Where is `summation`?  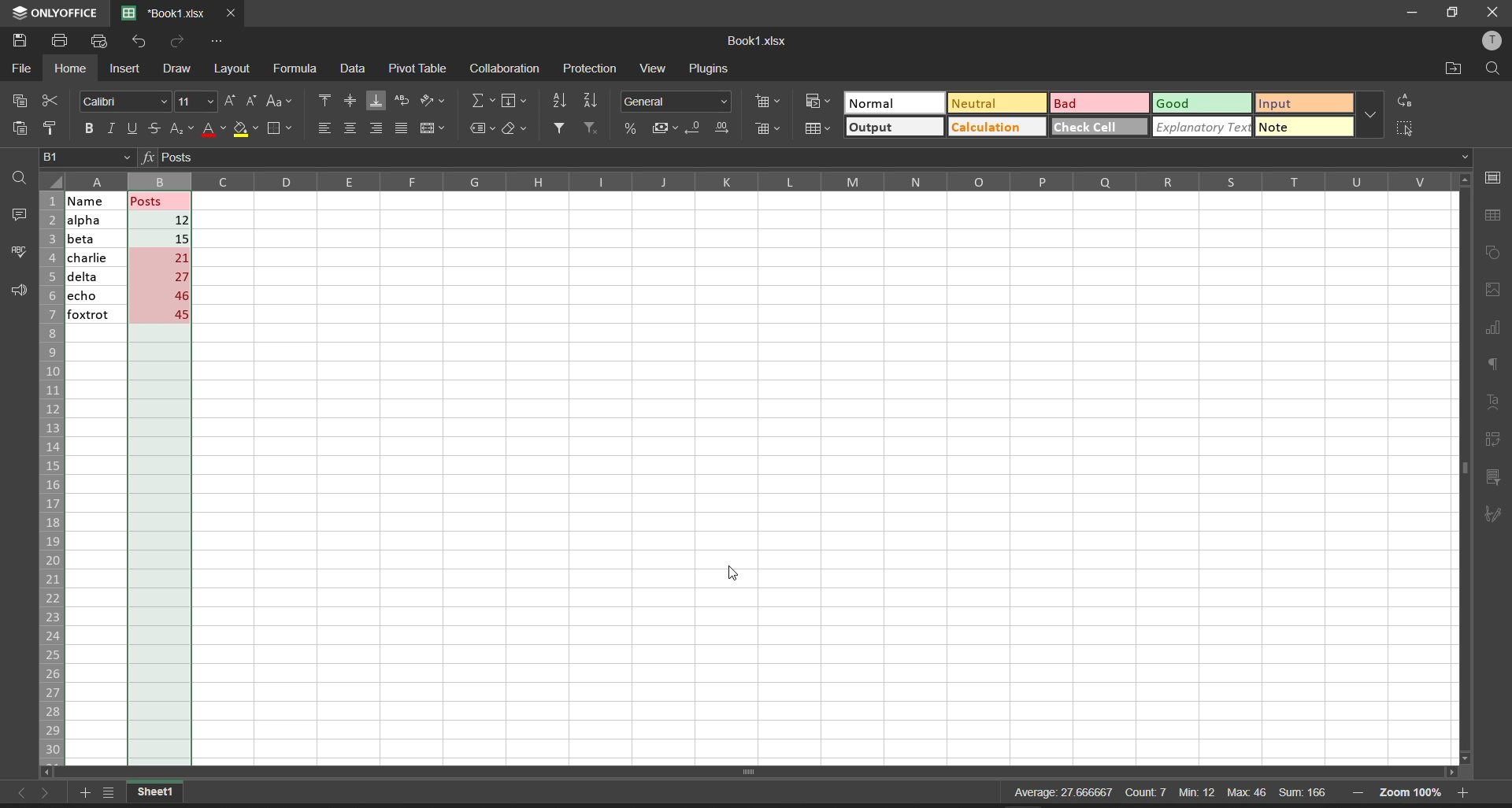 summation is located at coordinates (476, 101).